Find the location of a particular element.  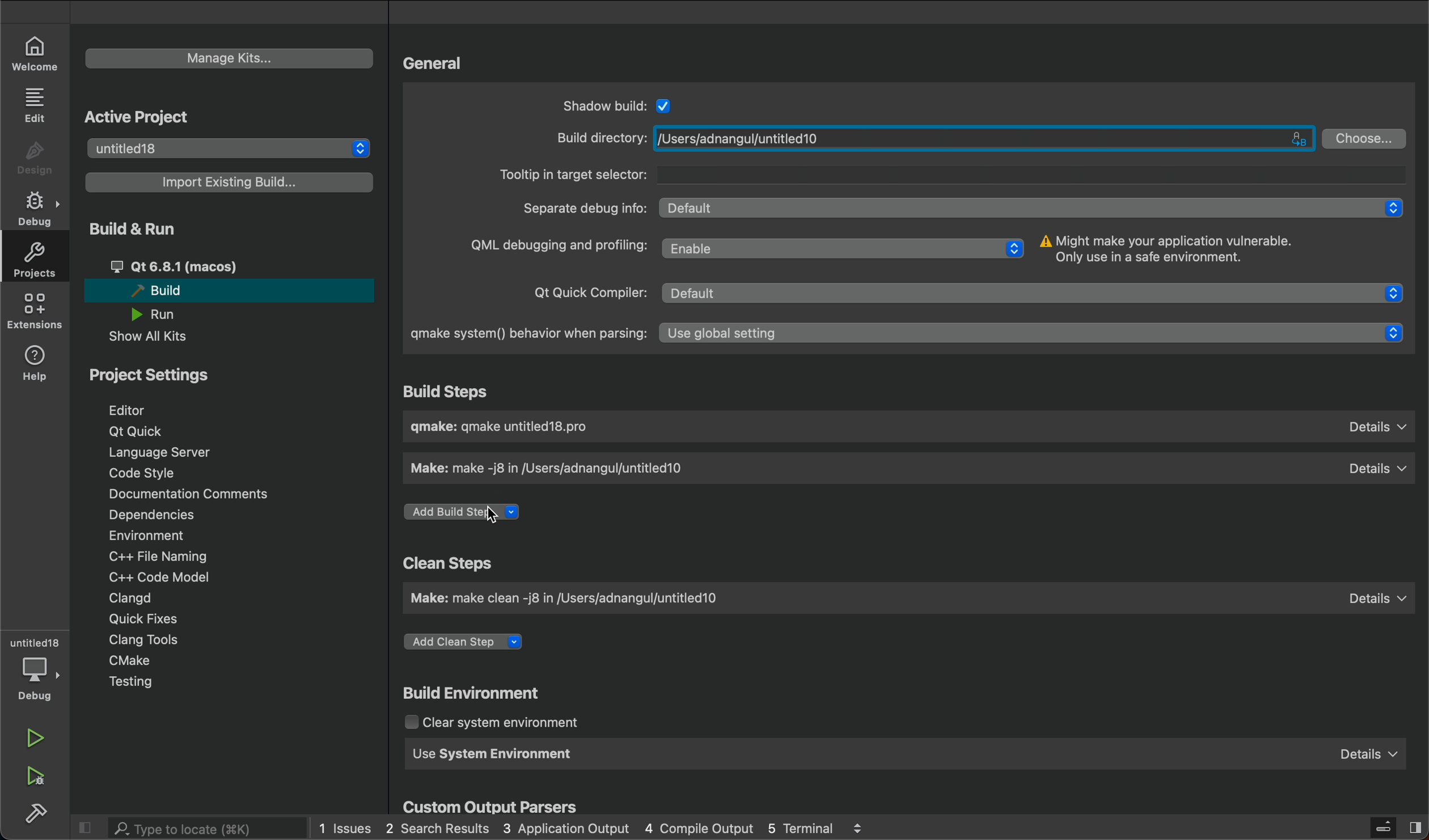

run debug is located at coordinates (32, 775).